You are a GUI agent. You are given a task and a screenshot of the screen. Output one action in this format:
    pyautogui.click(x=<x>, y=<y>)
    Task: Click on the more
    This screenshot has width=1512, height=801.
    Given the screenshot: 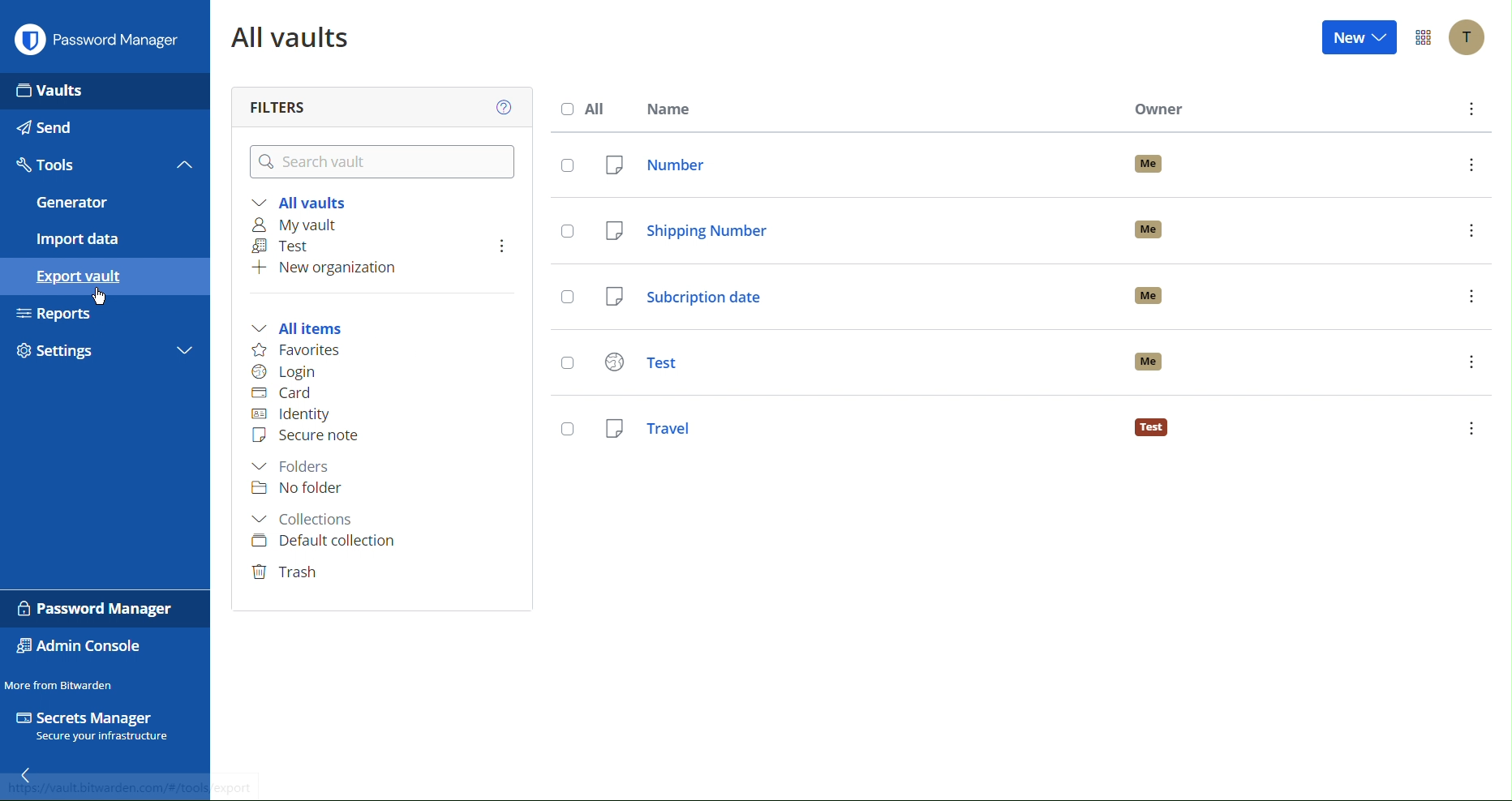 What is the action you would take?
    pyautogui.click(x=1471, y=273)
    